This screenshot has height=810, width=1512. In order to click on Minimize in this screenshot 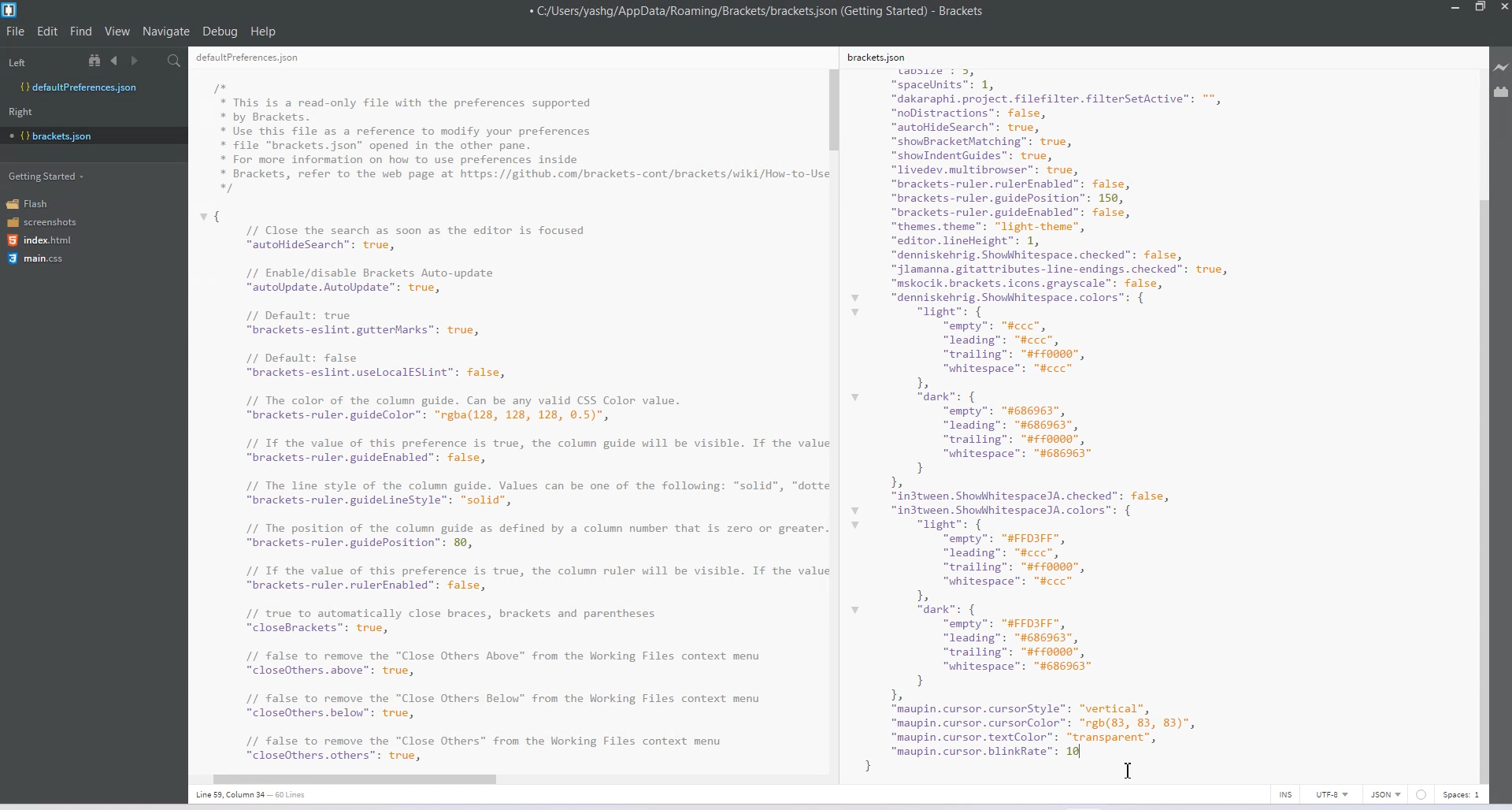, I will do `click(1457, 8)`.